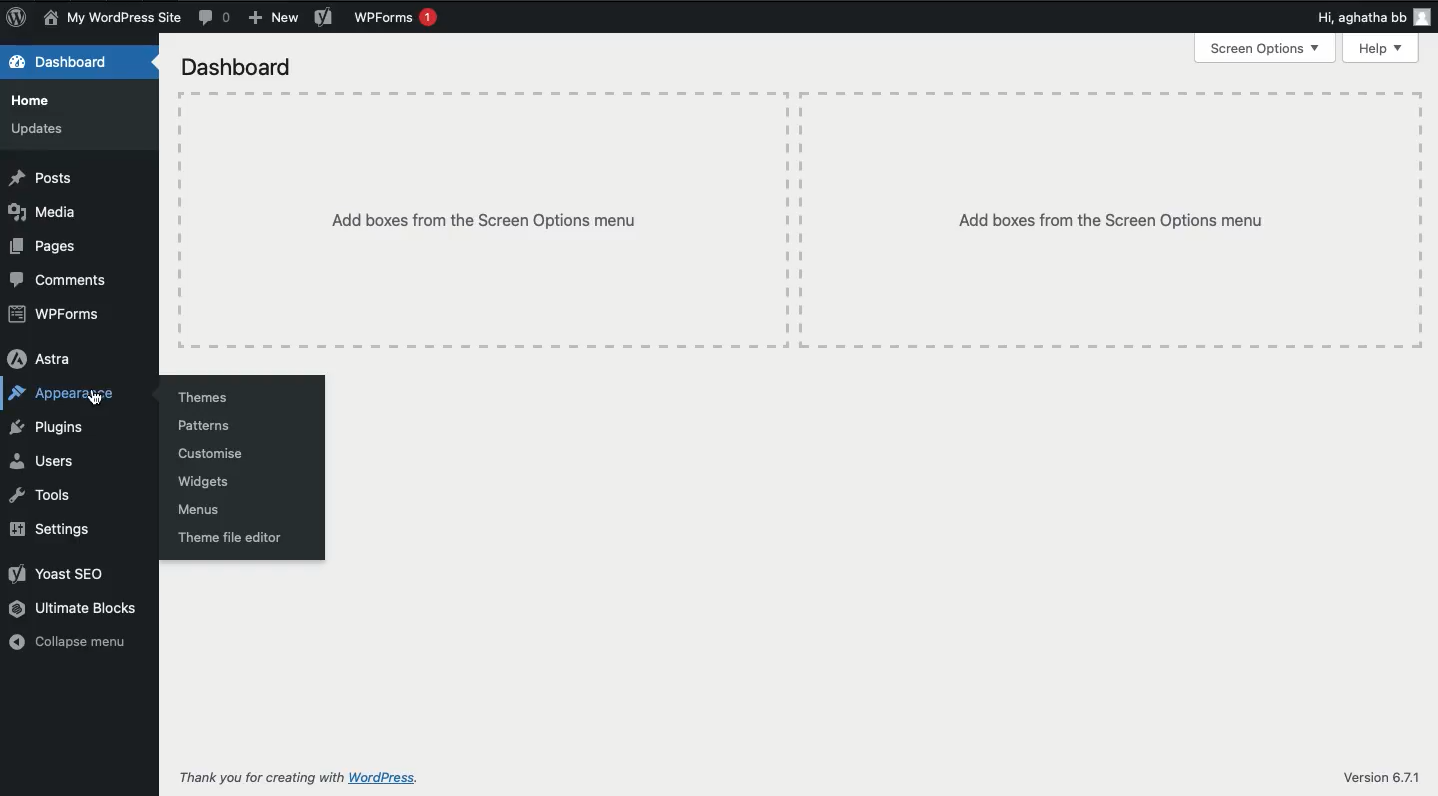 The image size is (1438, 796). What do you see at coordinates (65, 573) in the screenshot?
I see `Yoast` at bounding box center [65, 573].